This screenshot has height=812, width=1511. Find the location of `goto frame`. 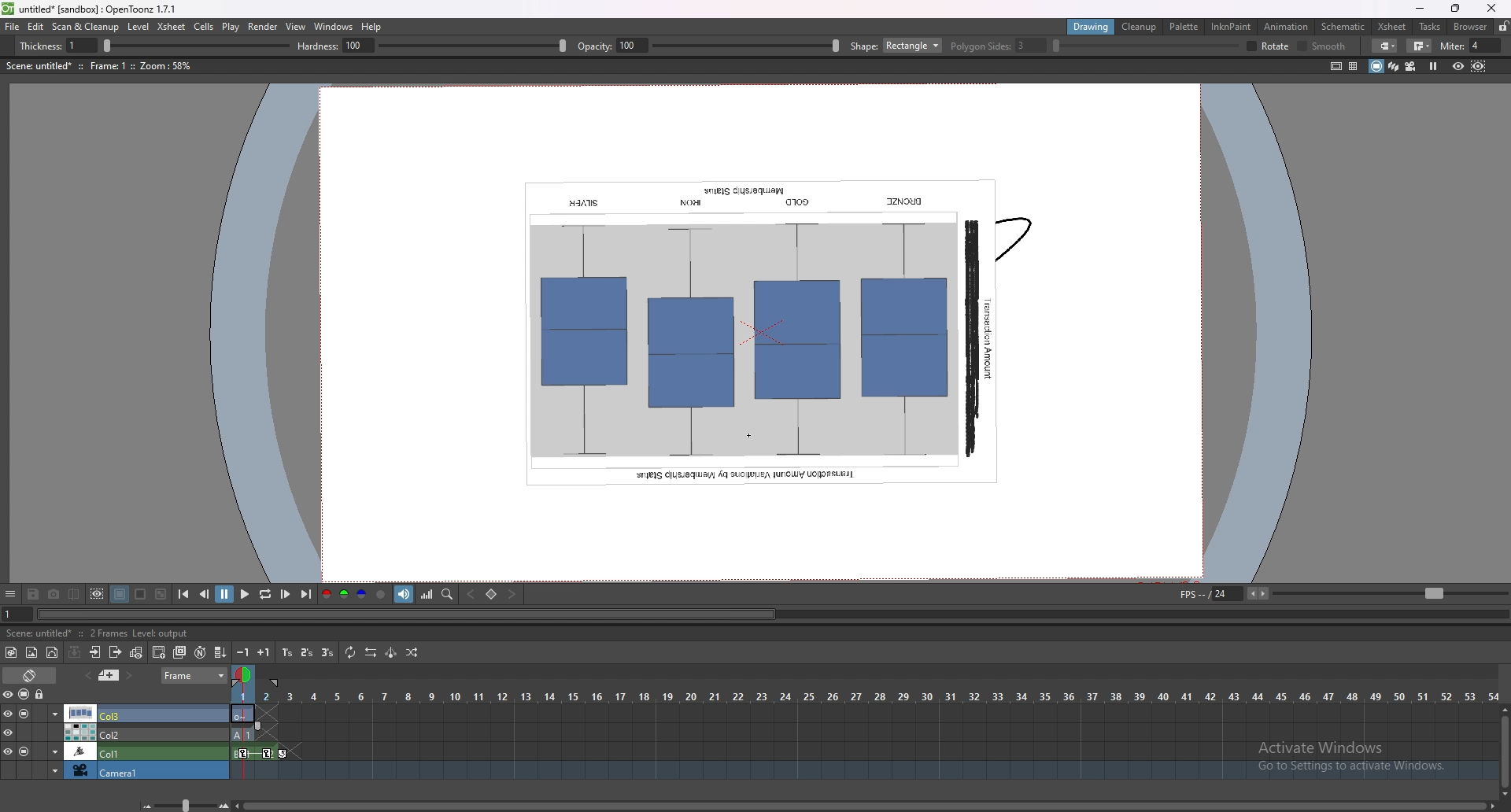

goto frame is located at coordinates (17, 615).